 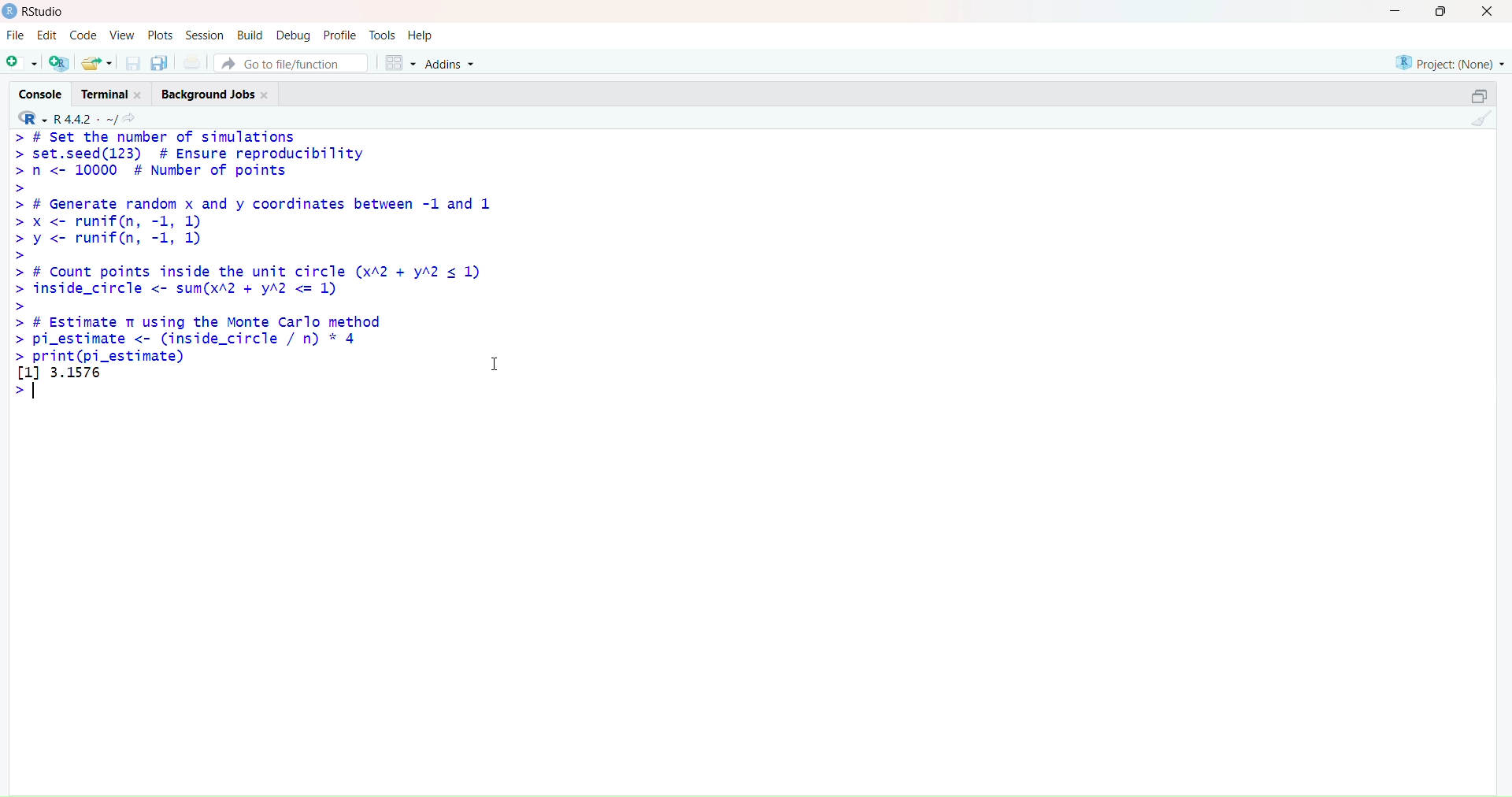 What do you see at coordinates (296, 34) in the screenshot?
I see `Debug` at bounding box center [296, 34].